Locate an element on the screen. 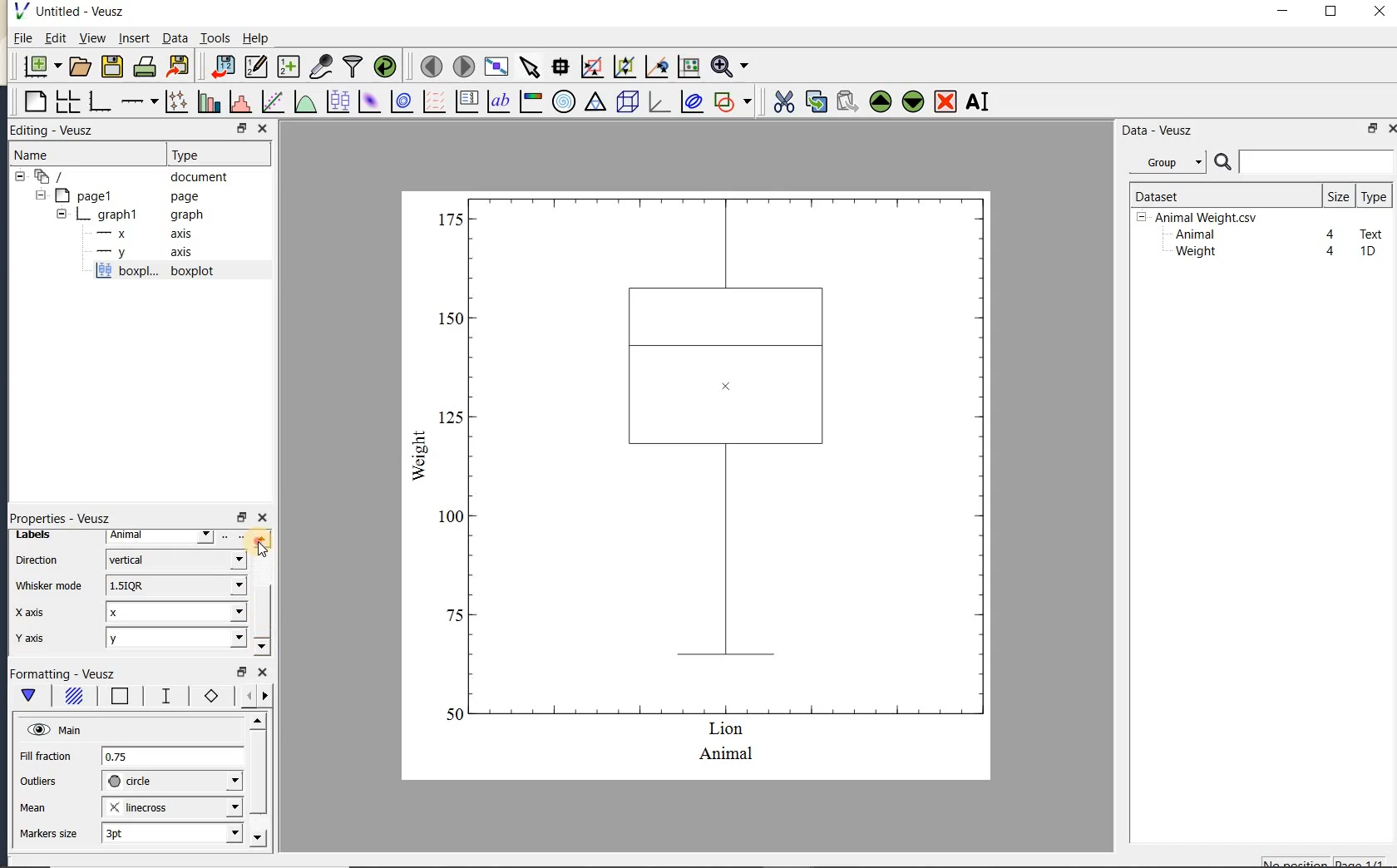  cursor is located at coordinates (263, 550).